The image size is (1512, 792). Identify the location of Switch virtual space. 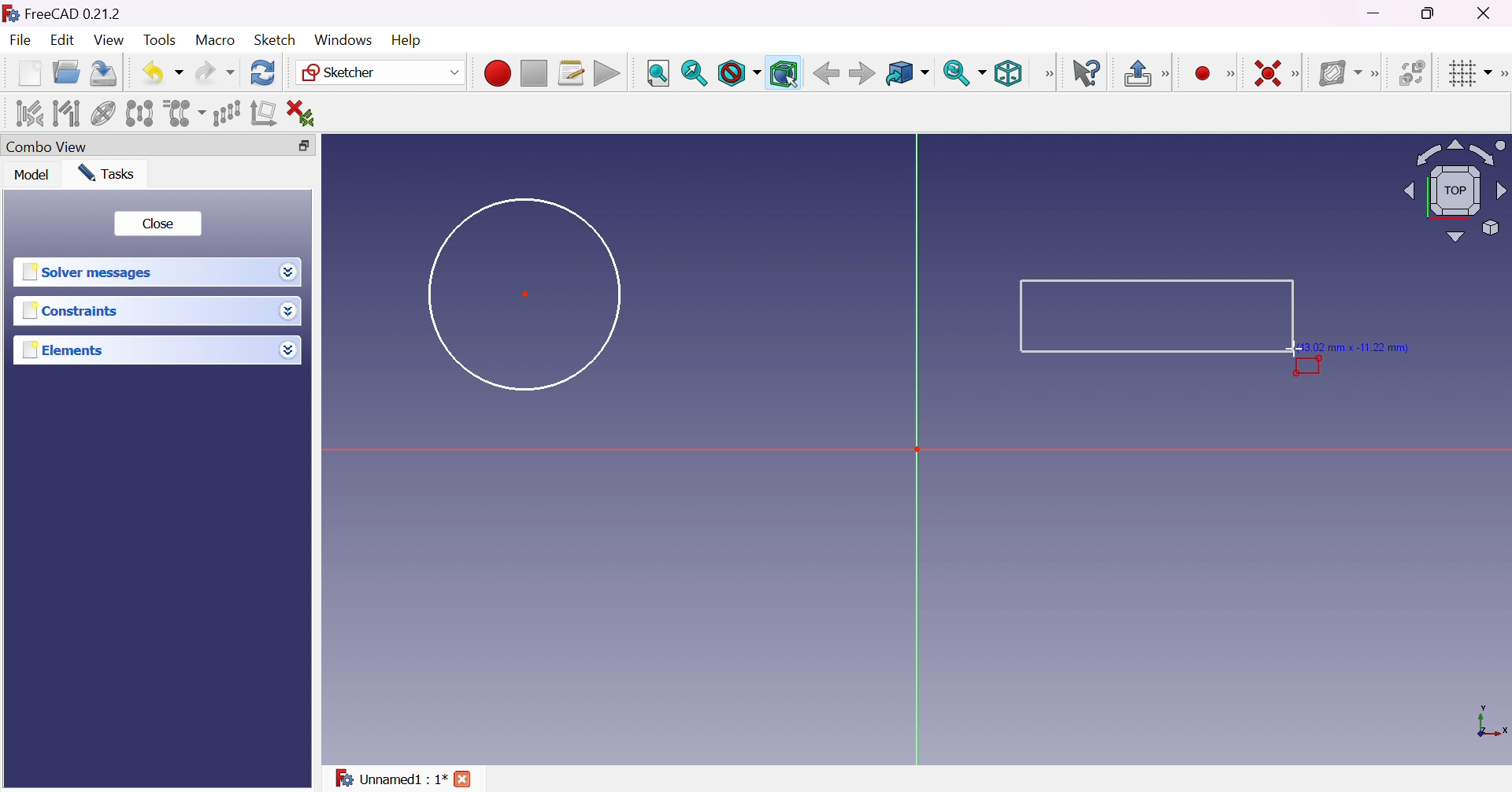
(1415, 72).